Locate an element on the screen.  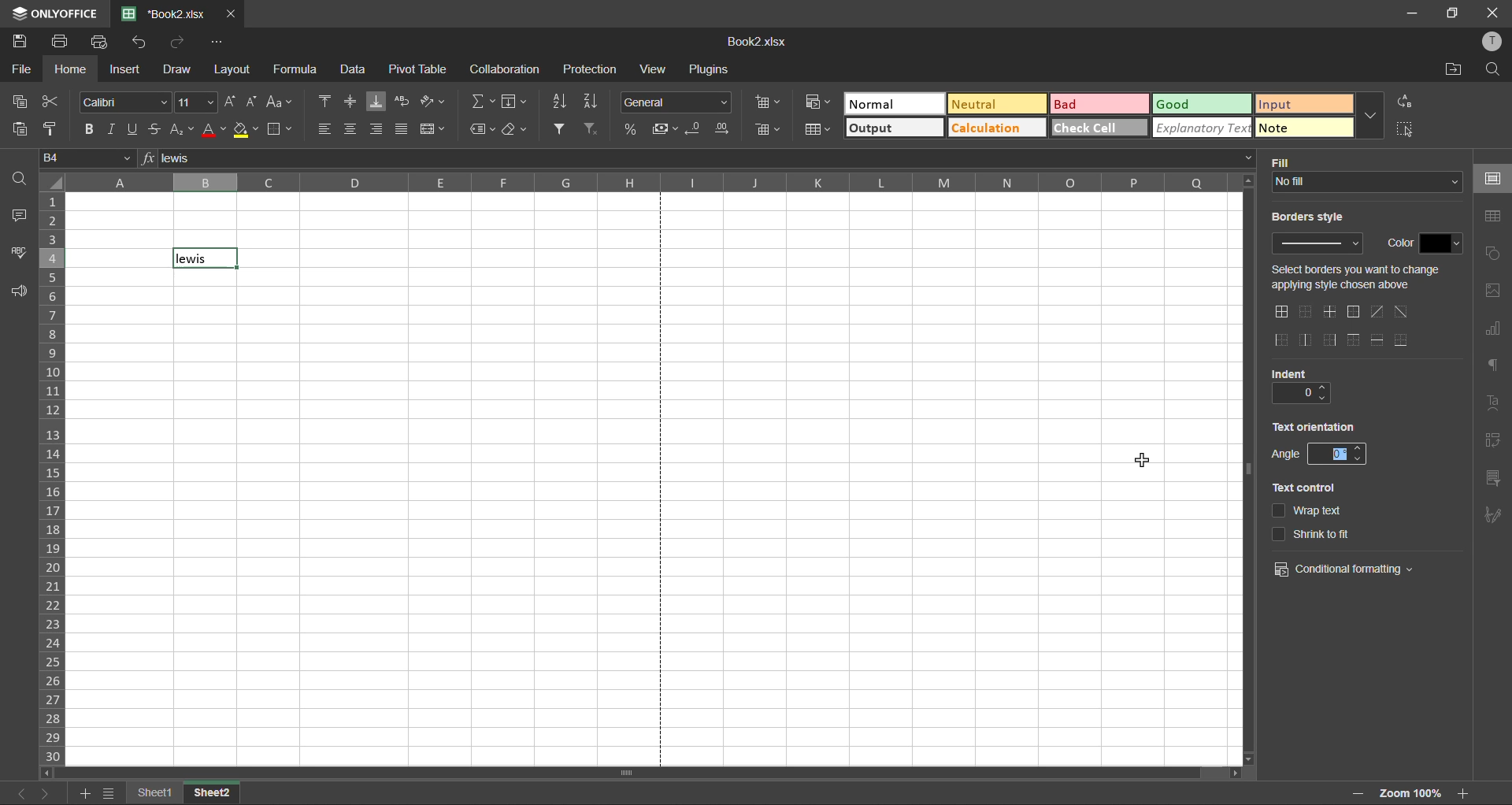
increment size is located at coordinates (230, 103).